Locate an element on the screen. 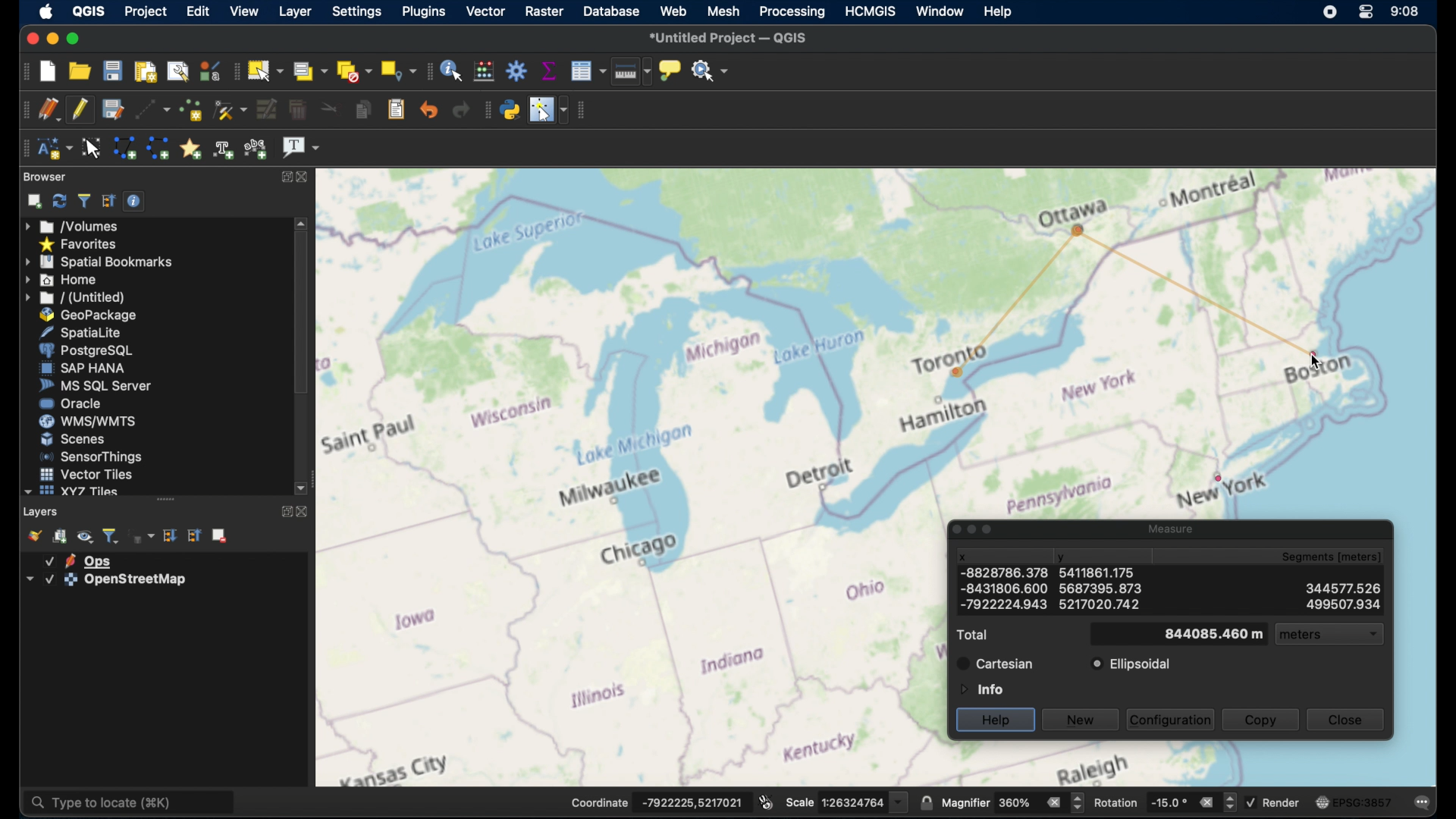 Image resolution: width=1456 pixels, height=819 pixels. total distance is located at coordinates (1200, 634).